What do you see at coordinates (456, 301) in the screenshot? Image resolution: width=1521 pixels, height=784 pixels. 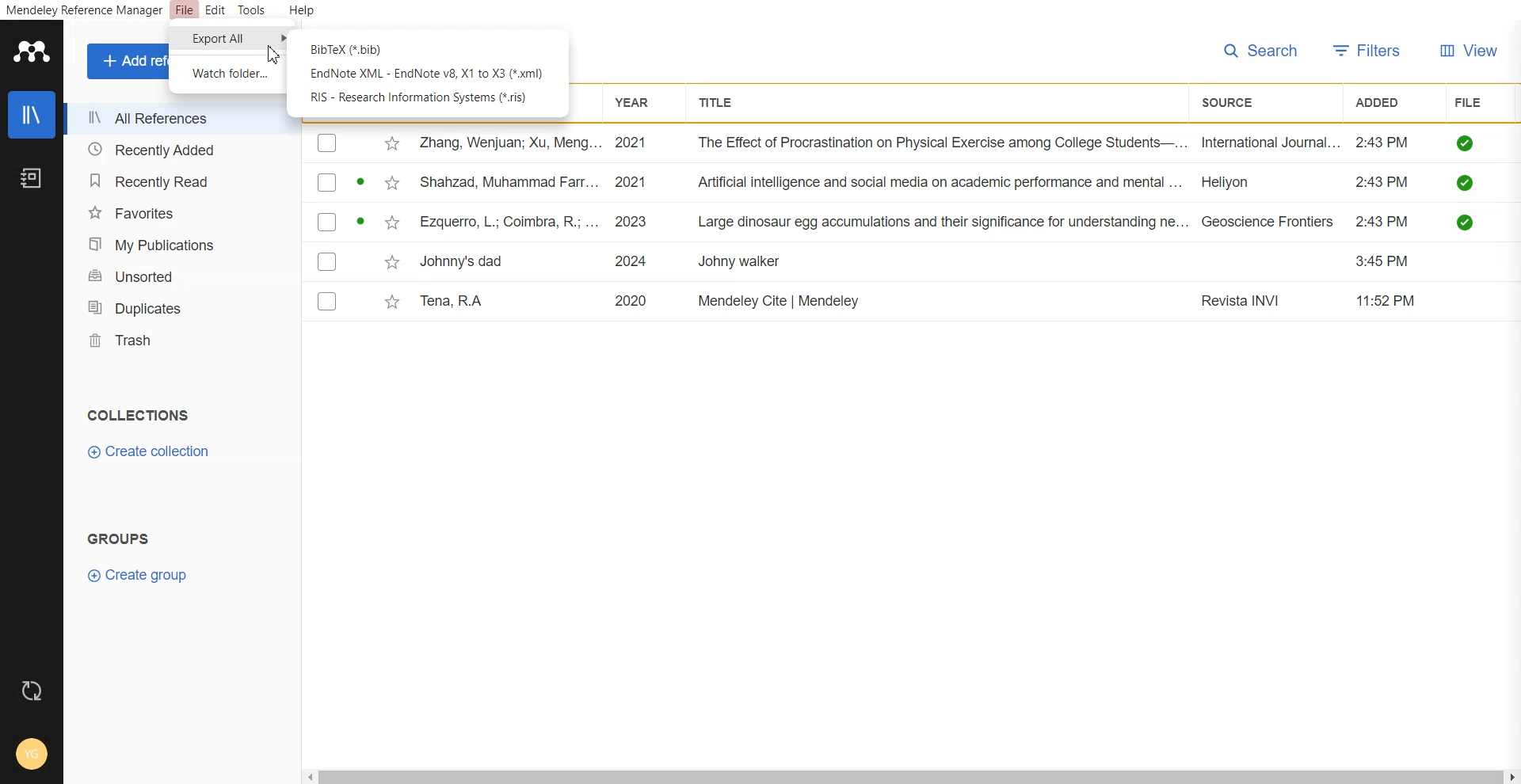 I see `Tena, RA` at bounding box center [456, 301].